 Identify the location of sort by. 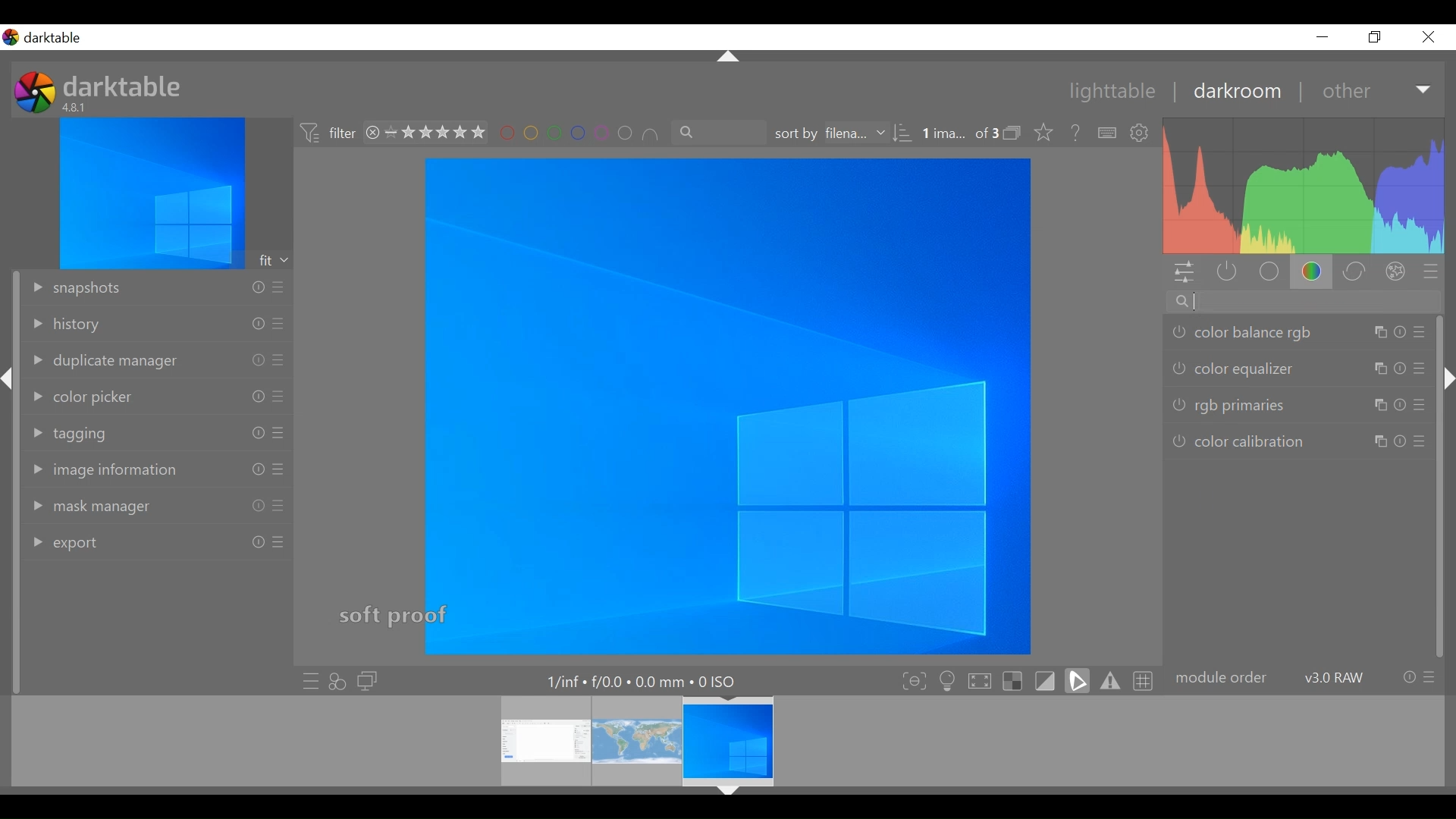
(830, 133).